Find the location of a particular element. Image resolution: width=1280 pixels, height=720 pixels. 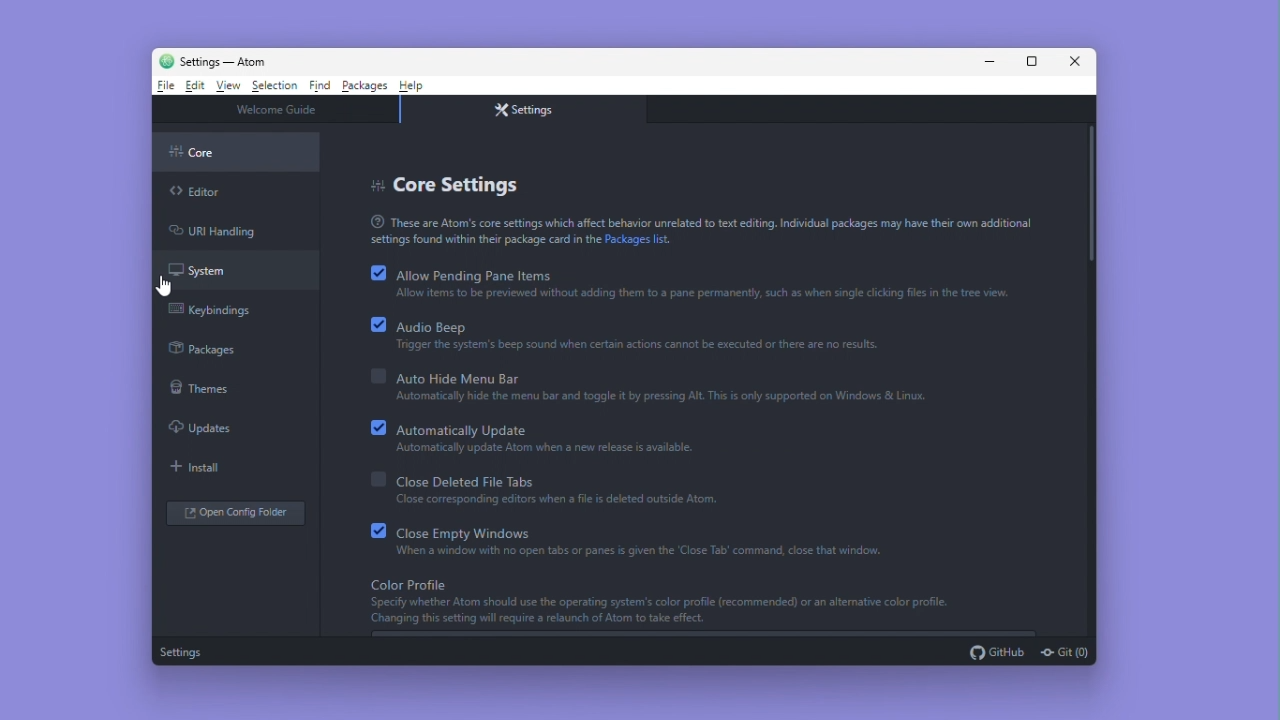

cursor is located at coordinates (166, 288).